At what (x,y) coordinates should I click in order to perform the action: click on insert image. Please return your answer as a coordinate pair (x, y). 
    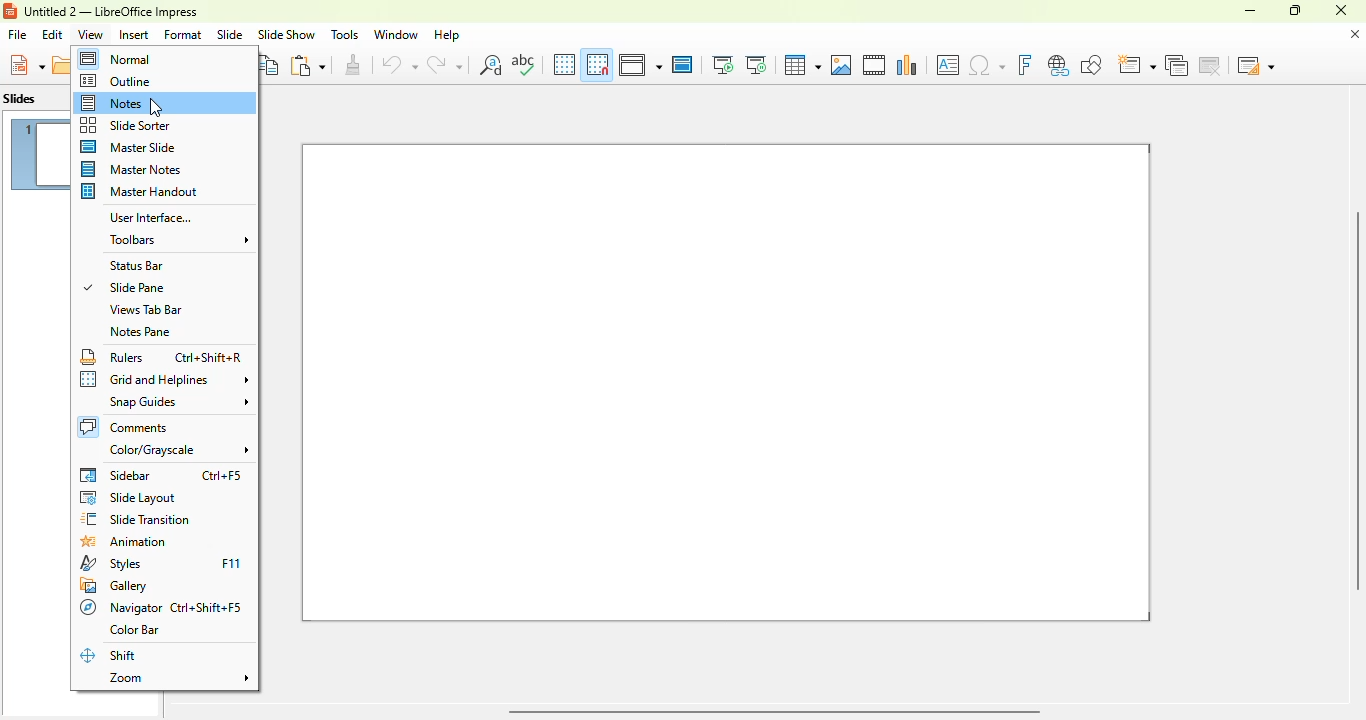
    Looking at the image, I should click on (842, 65).